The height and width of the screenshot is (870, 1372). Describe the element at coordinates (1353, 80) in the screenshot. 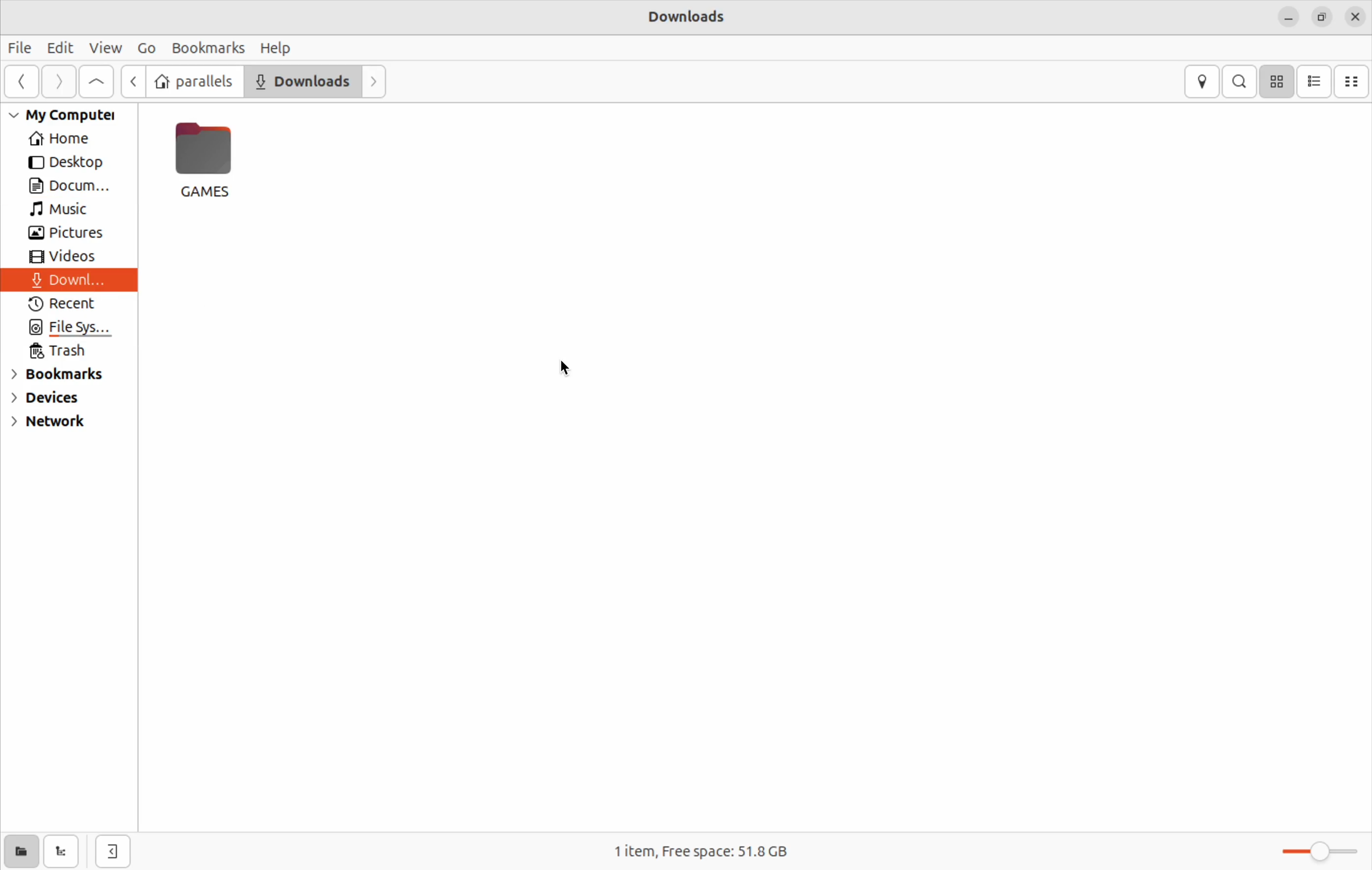

I see `compact view` at that location.